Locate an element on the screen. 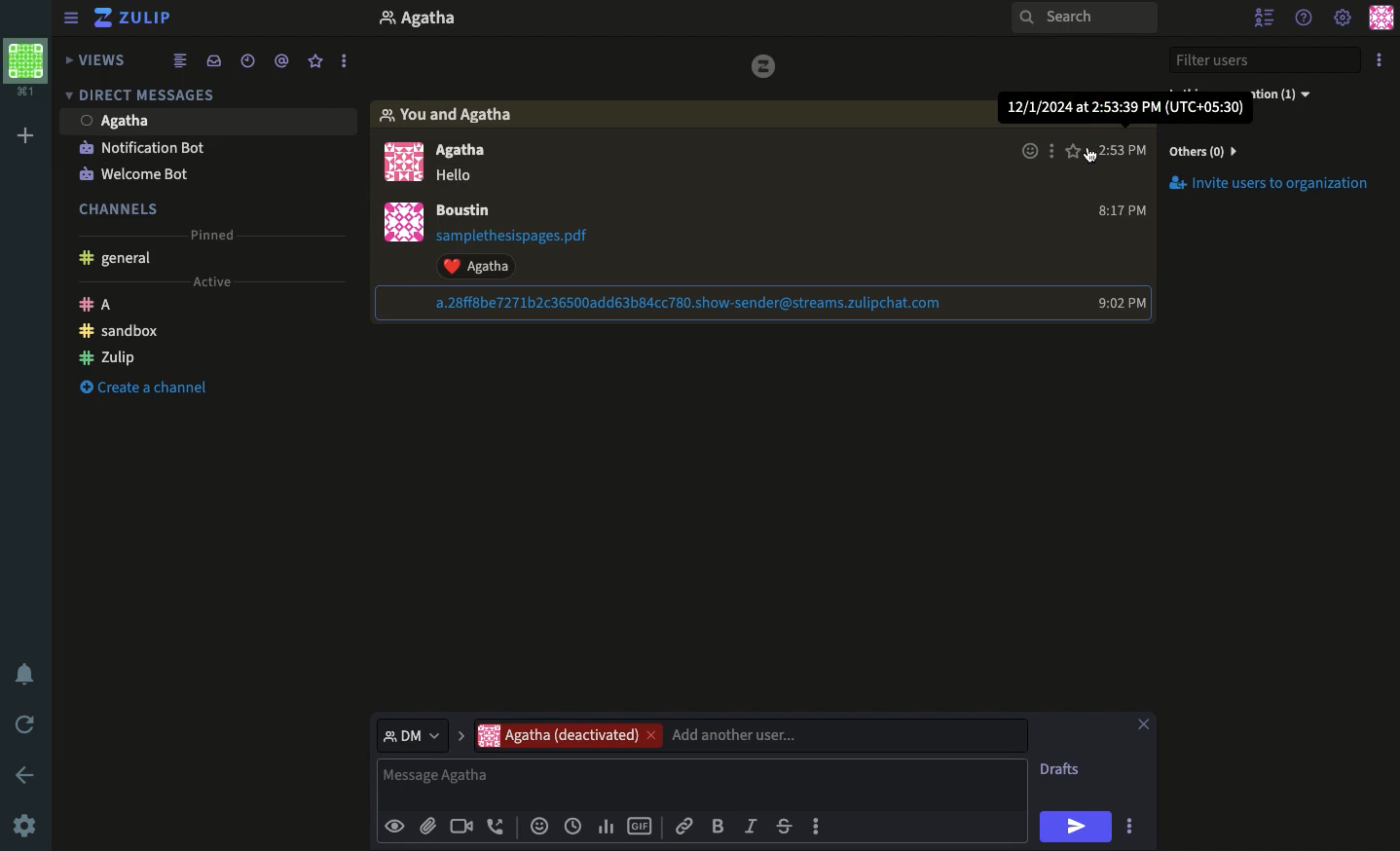  Help is located at coordinates (1308, 19).